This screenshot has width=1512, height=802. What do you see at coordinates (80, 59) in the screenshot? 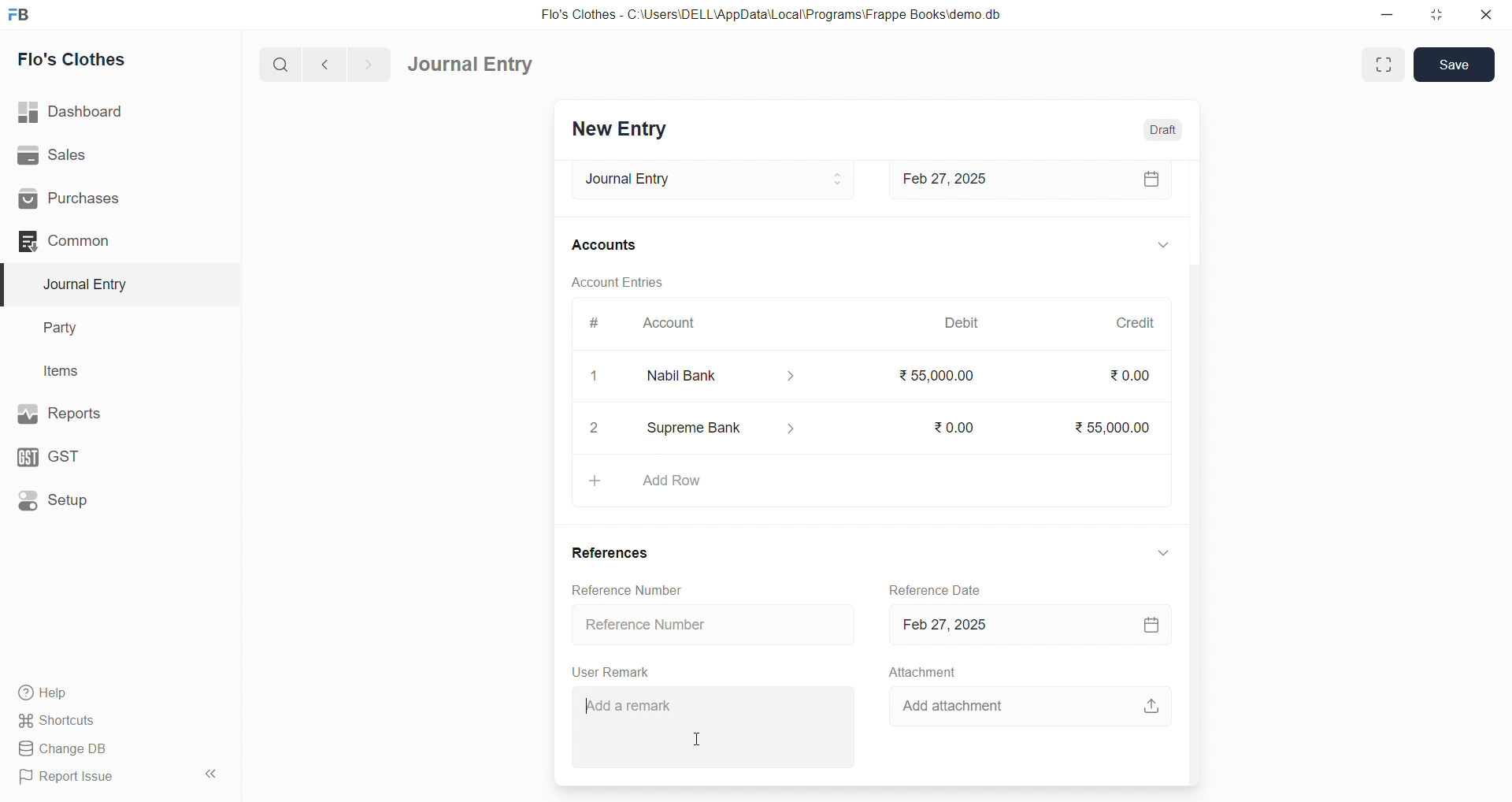
I see `Flo's Clothes` at bounding box center [80, 59].